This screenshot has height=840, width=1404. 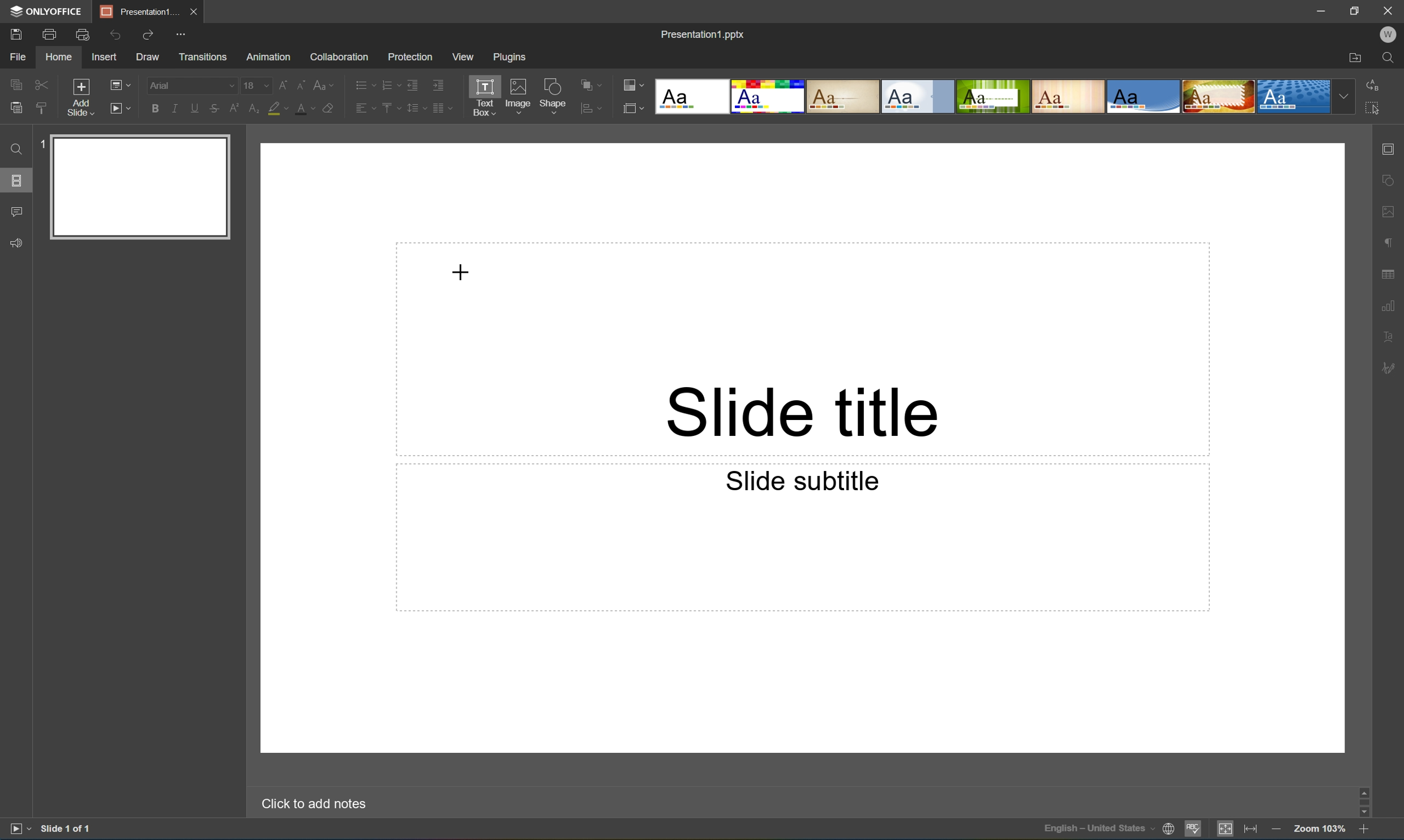 I want to click on Subscript, so click(x=252, y=109).